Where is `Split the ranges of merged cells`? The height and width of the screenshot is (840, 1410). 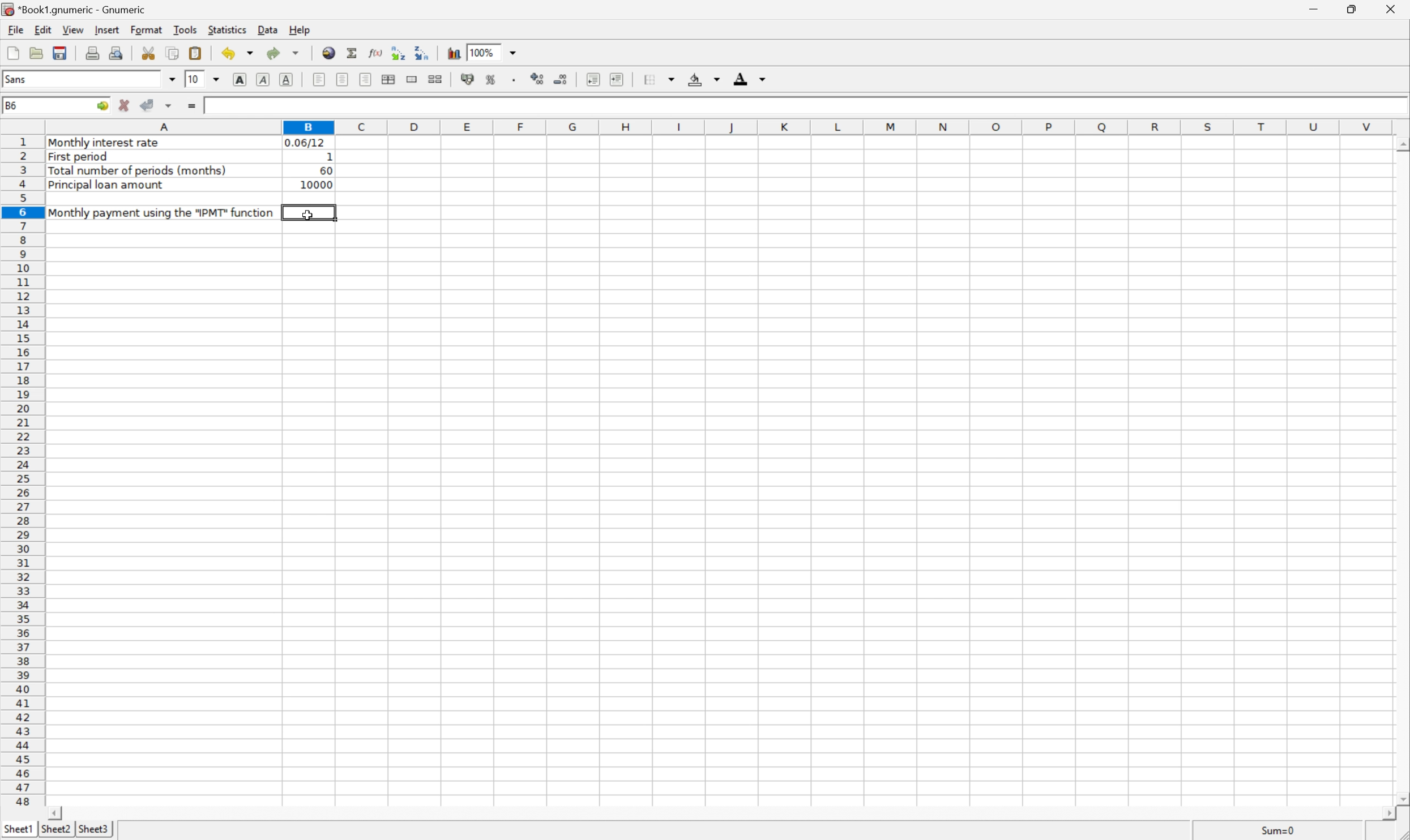
Split the ranges of merged cells is located at coordinates (437, 80).